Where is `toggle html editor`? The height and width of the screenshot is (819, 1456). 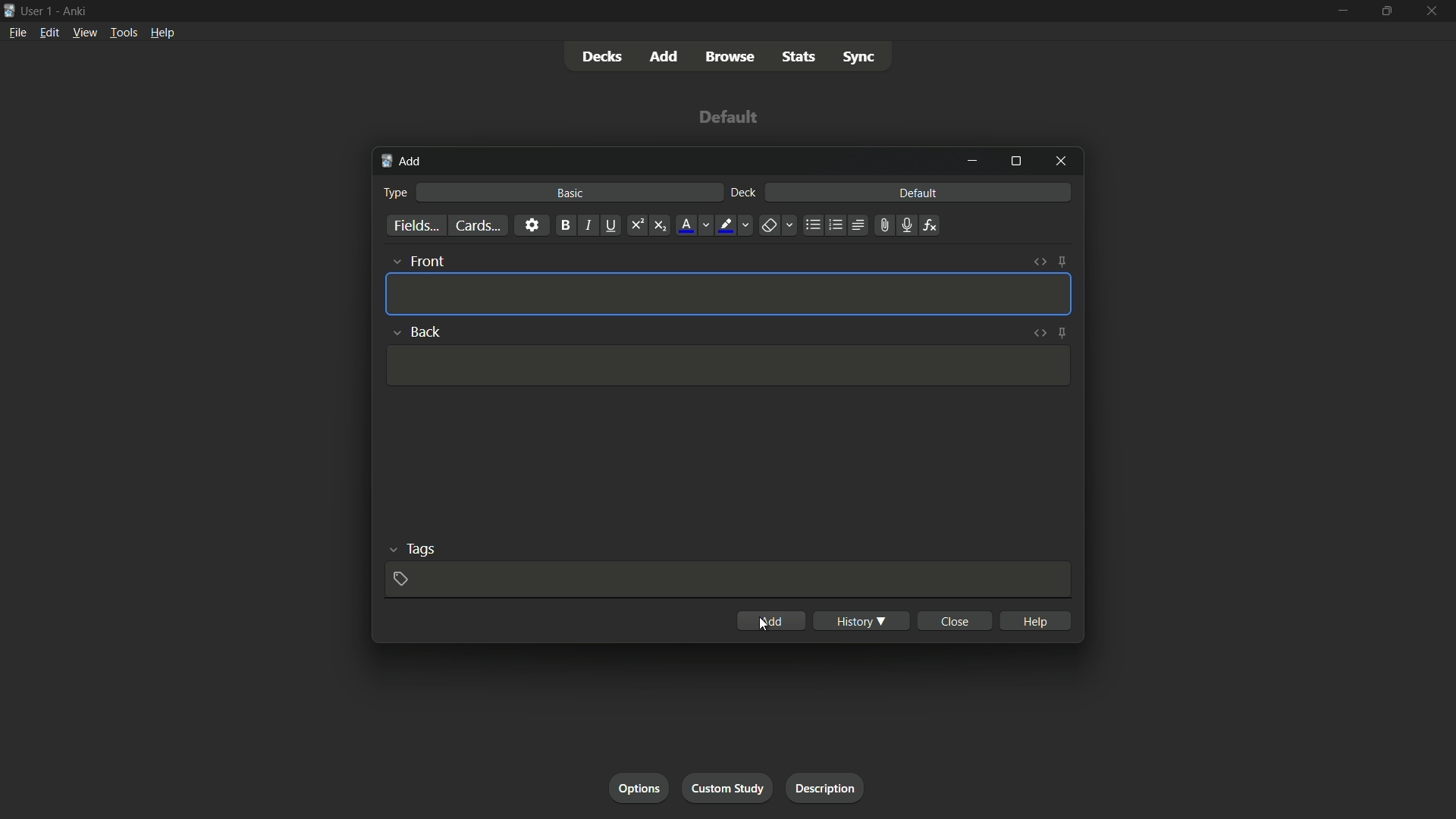 toggle html editor is located at coordinates (1040, 262).